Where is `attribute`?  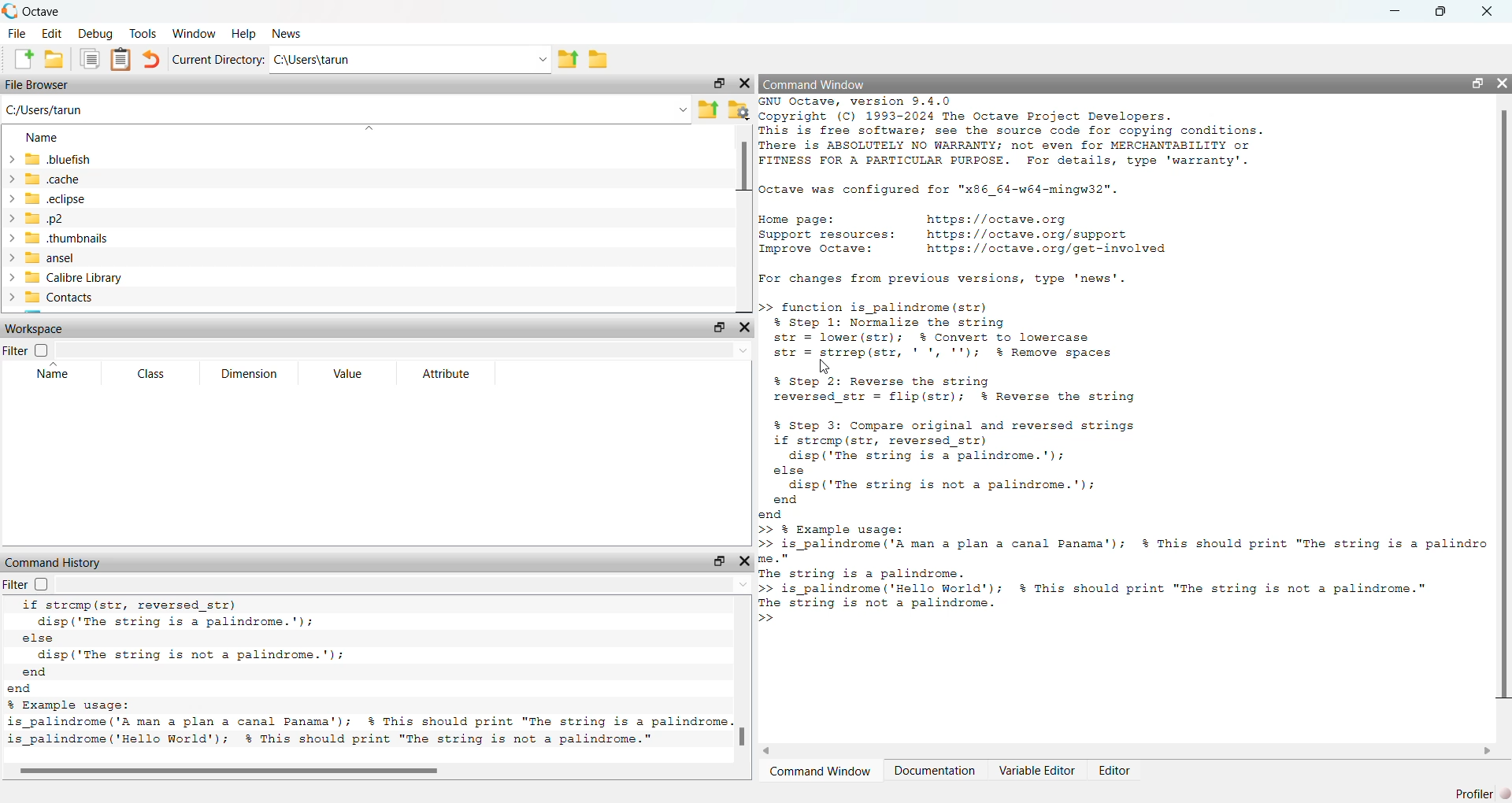
attribute is located at coordinates (446, 373).